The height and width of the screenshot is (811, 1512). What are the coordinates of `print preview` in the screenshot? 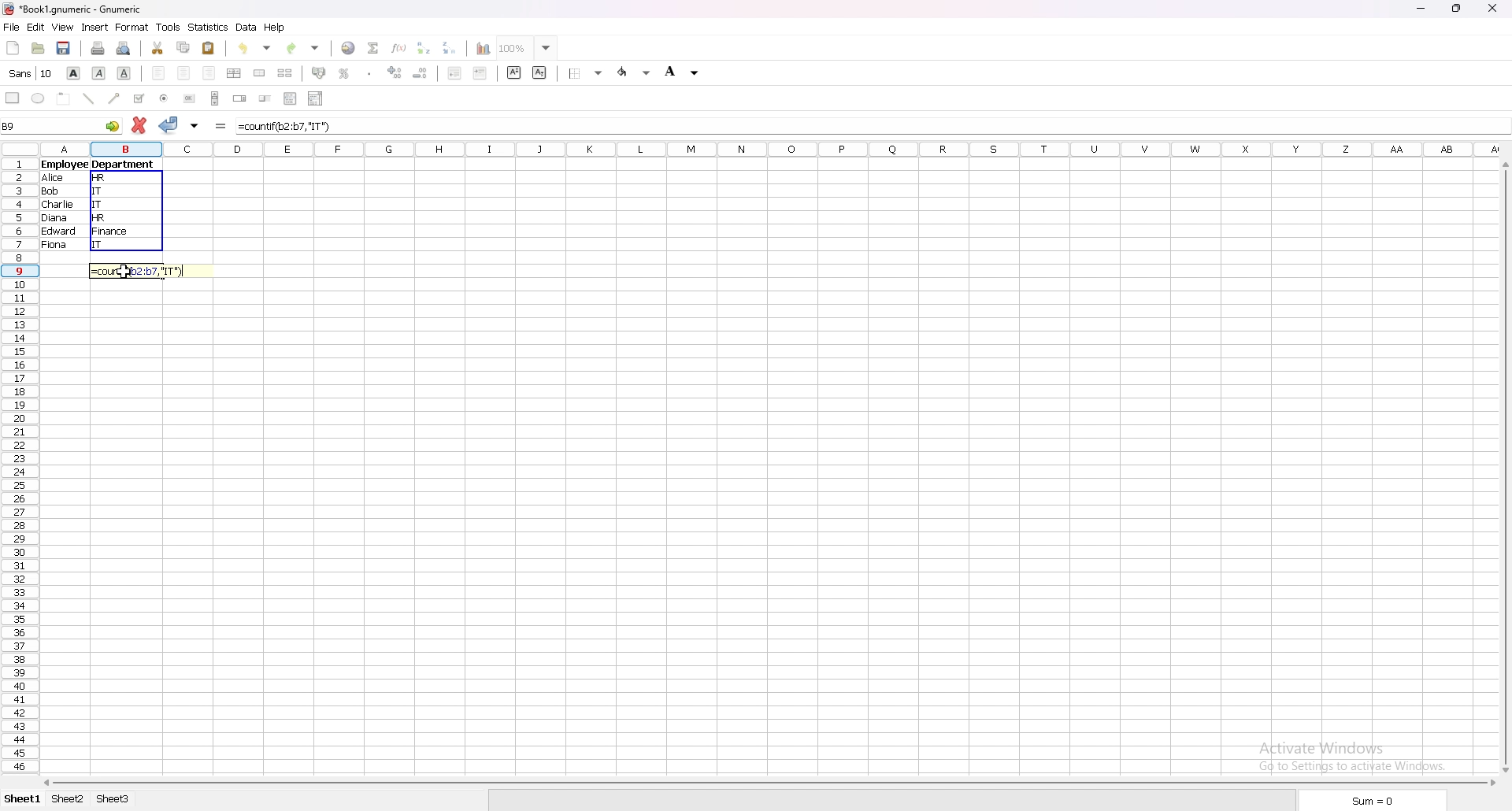 It's located at (124, 48).